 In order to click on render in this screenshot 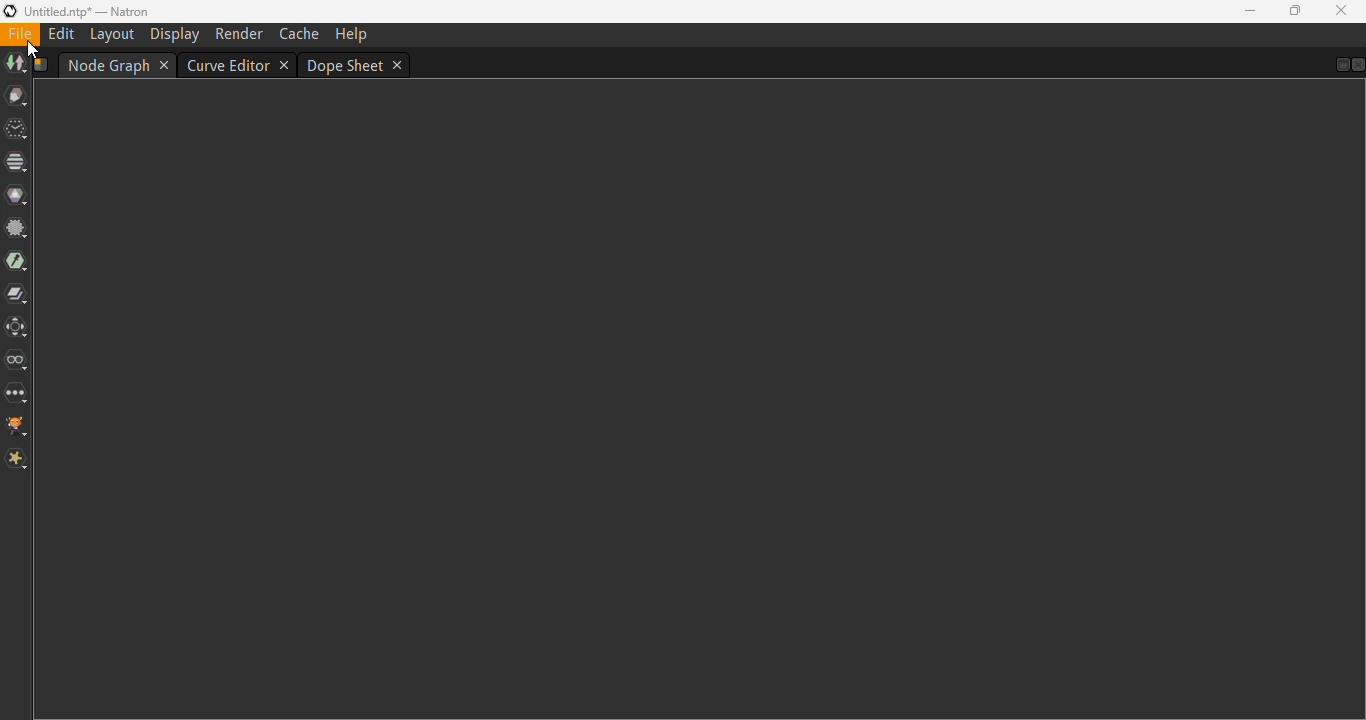, I will do `click(239, 34)`.